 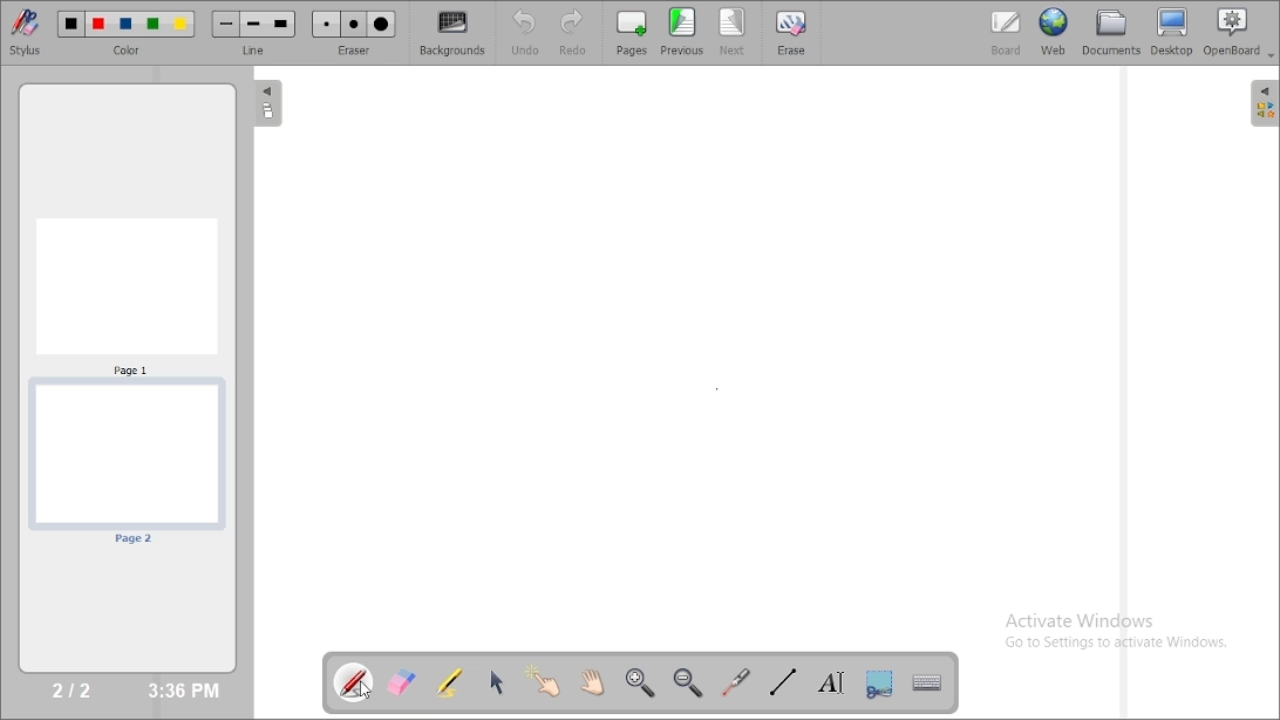 I want to click on erase annotation, so click(x=403, y=682).